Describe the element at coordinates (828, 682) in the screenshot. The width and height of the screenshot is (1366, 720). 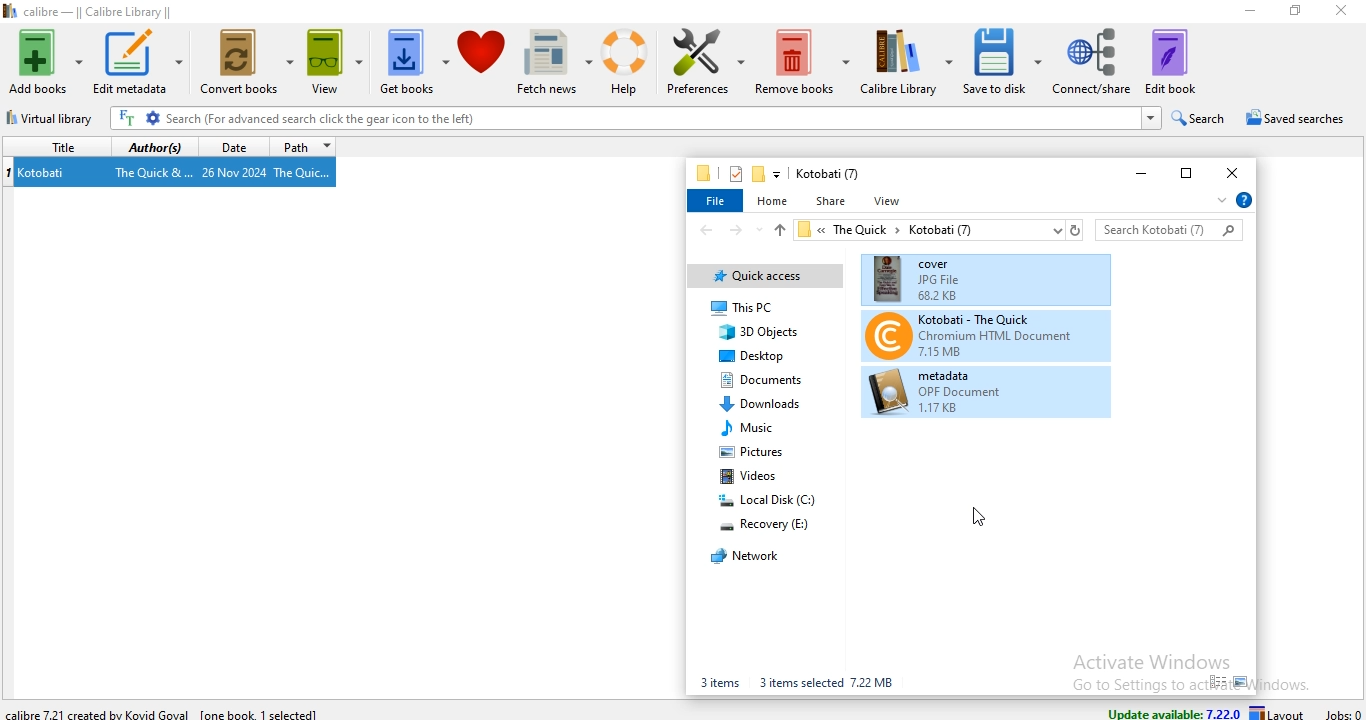
I see `3 items selected 7.22 MB` at that location.